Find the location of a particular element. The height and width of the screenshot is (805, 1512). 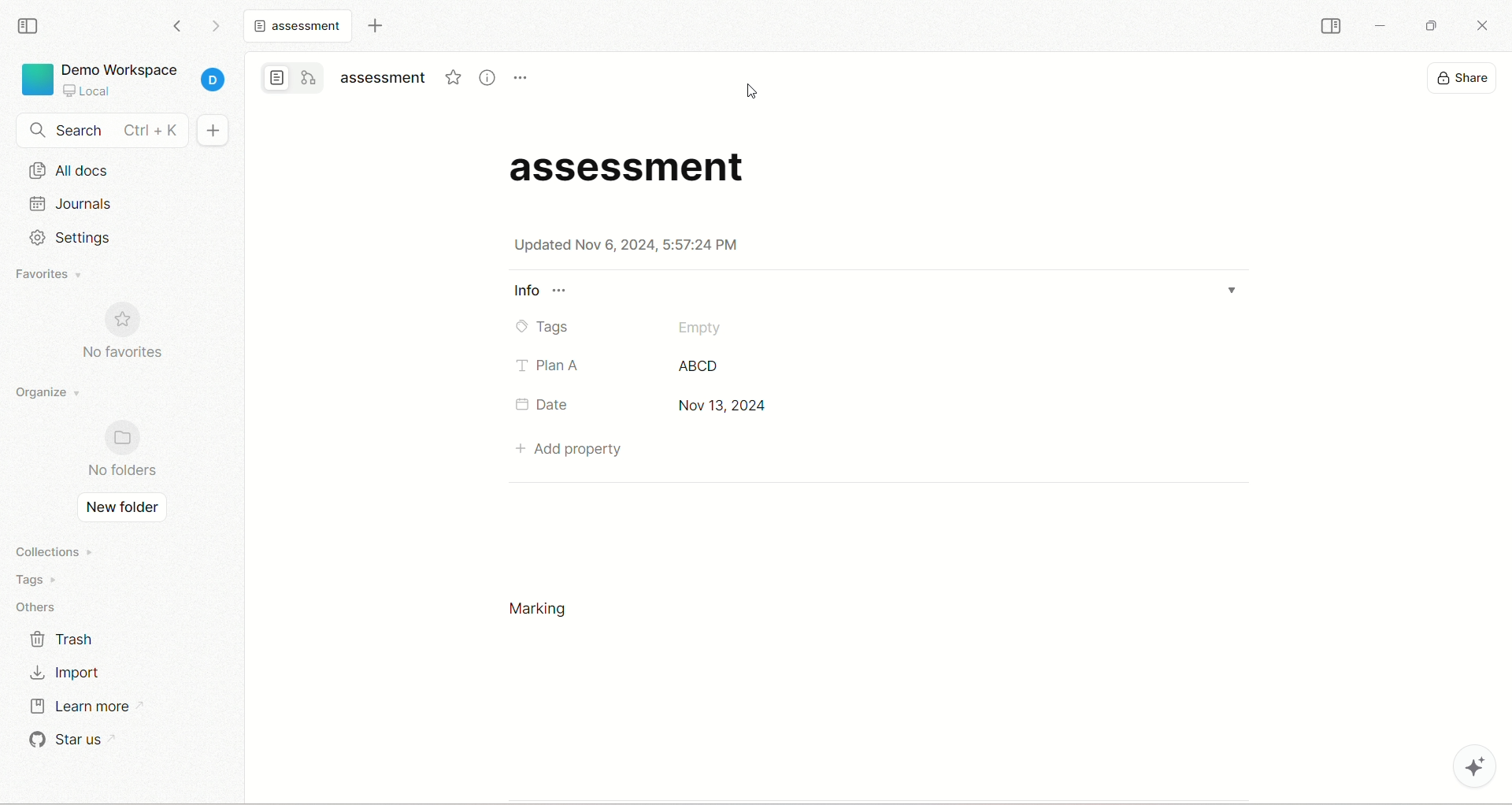

icon is located at coordinates (125, 320).